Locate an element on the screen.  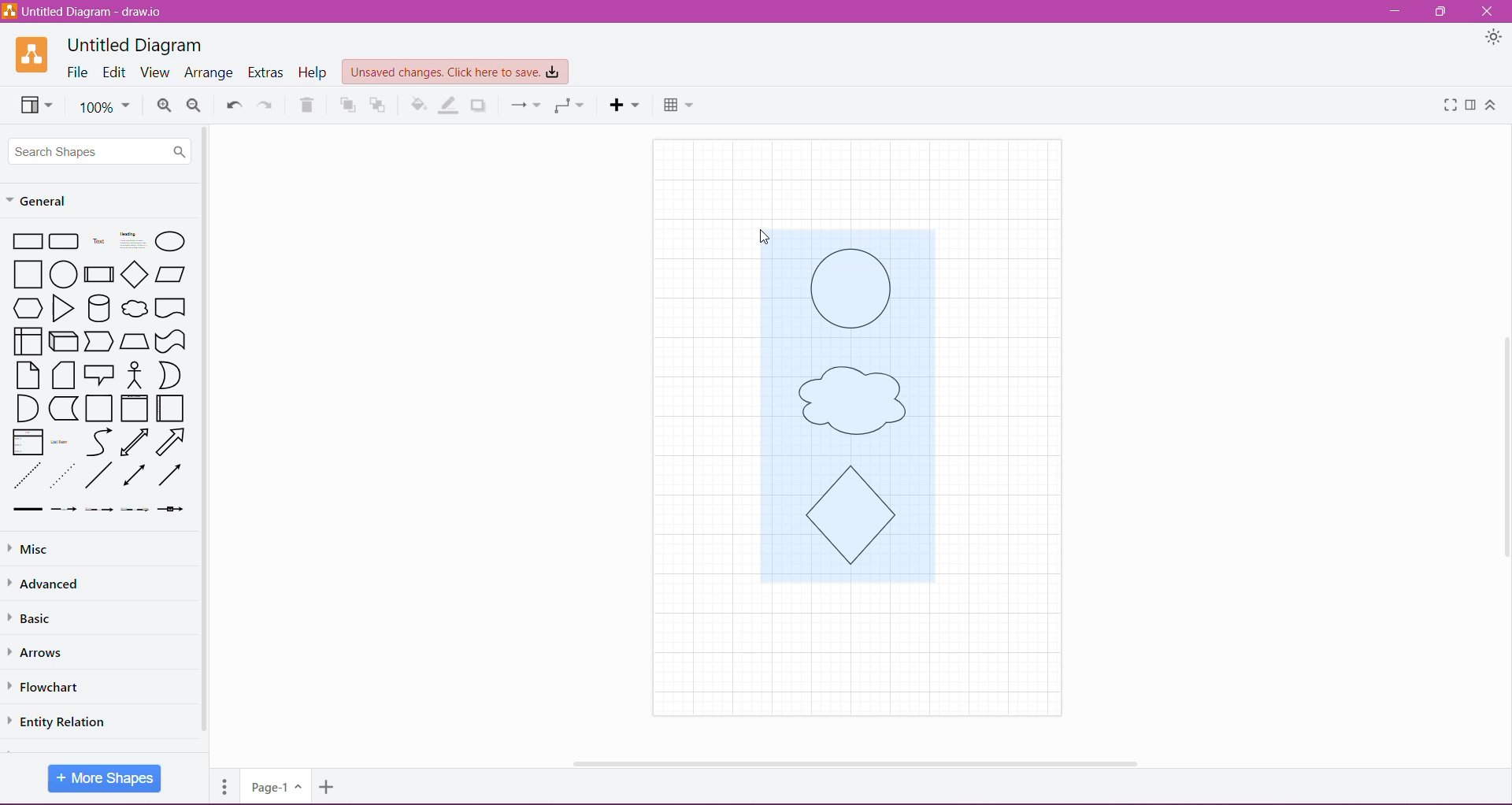
Table is located at coordinates (678, 103).